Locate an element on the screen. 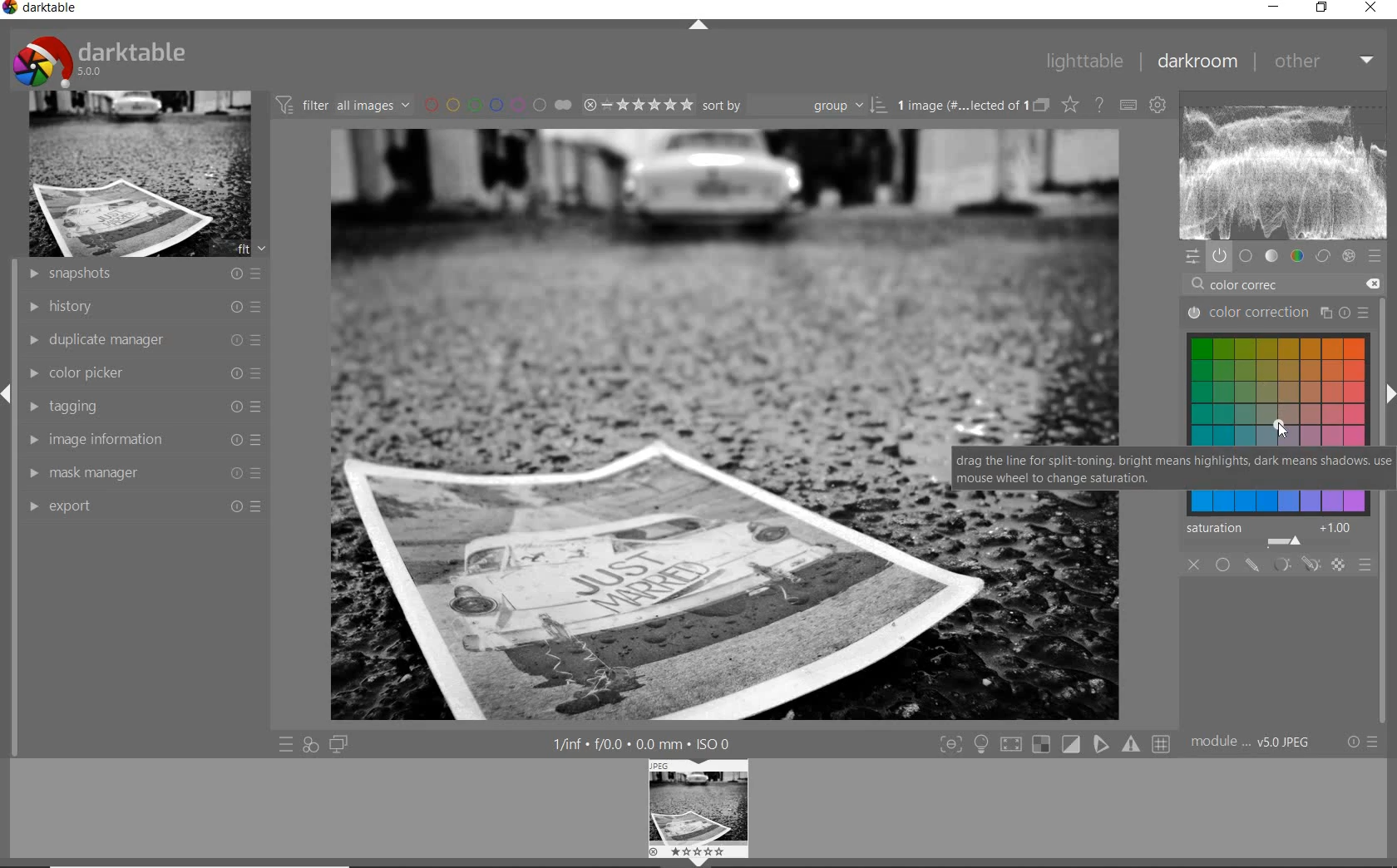 Image resolution: width=1397 pixels, height=868 pixels. show global preference is located at coordinates (1156, 106).